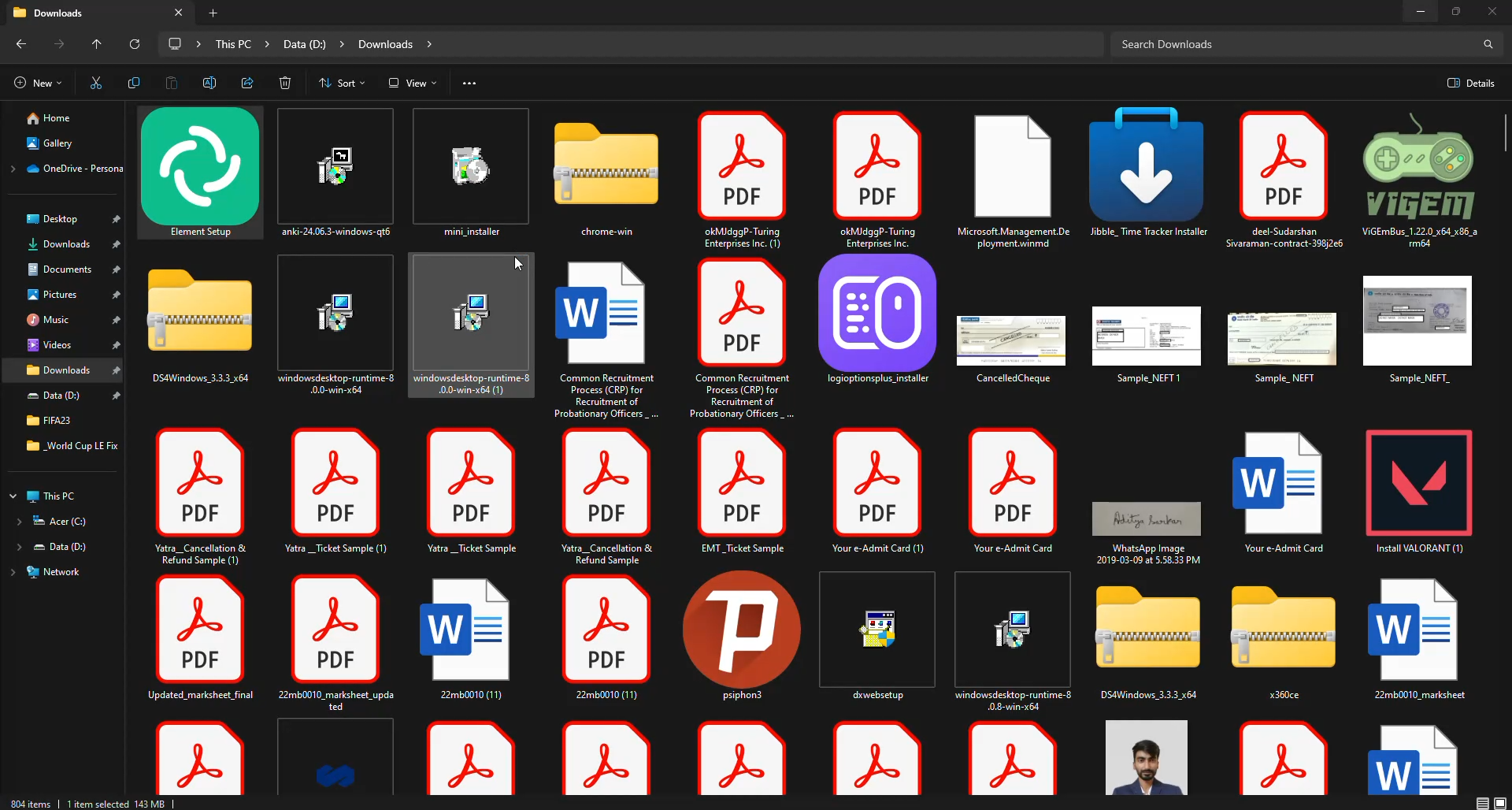 The height and width of the screenshot is (810, 1512). What do you see at coordinates (883, 178) in the screenshot?
I see `file` at bounding box center [883, 178].